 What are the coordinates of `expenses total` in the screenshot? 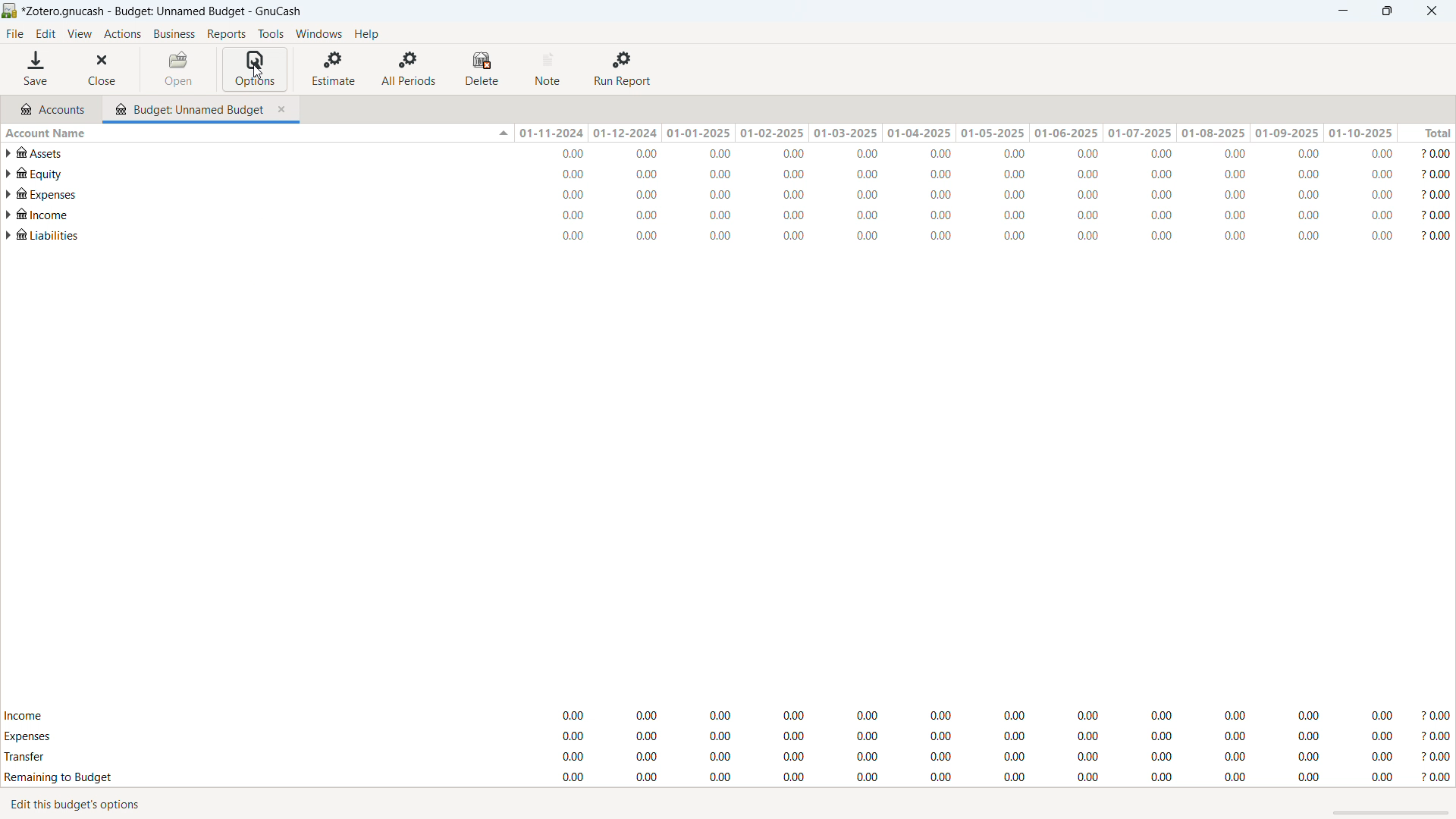 It's located at (728, 736).